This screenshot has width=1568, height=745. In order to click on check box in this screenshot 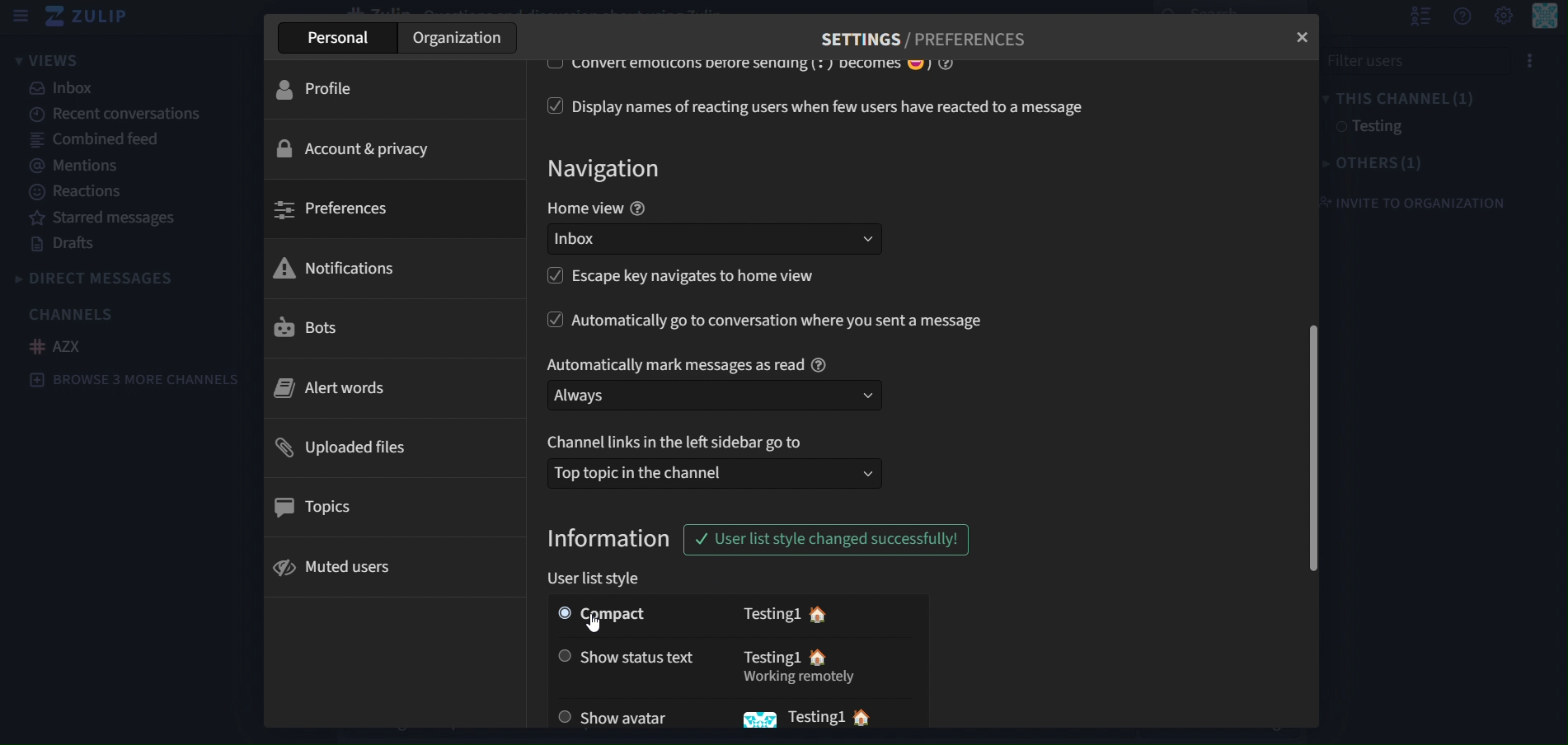, I will do `click(550, 105)`.